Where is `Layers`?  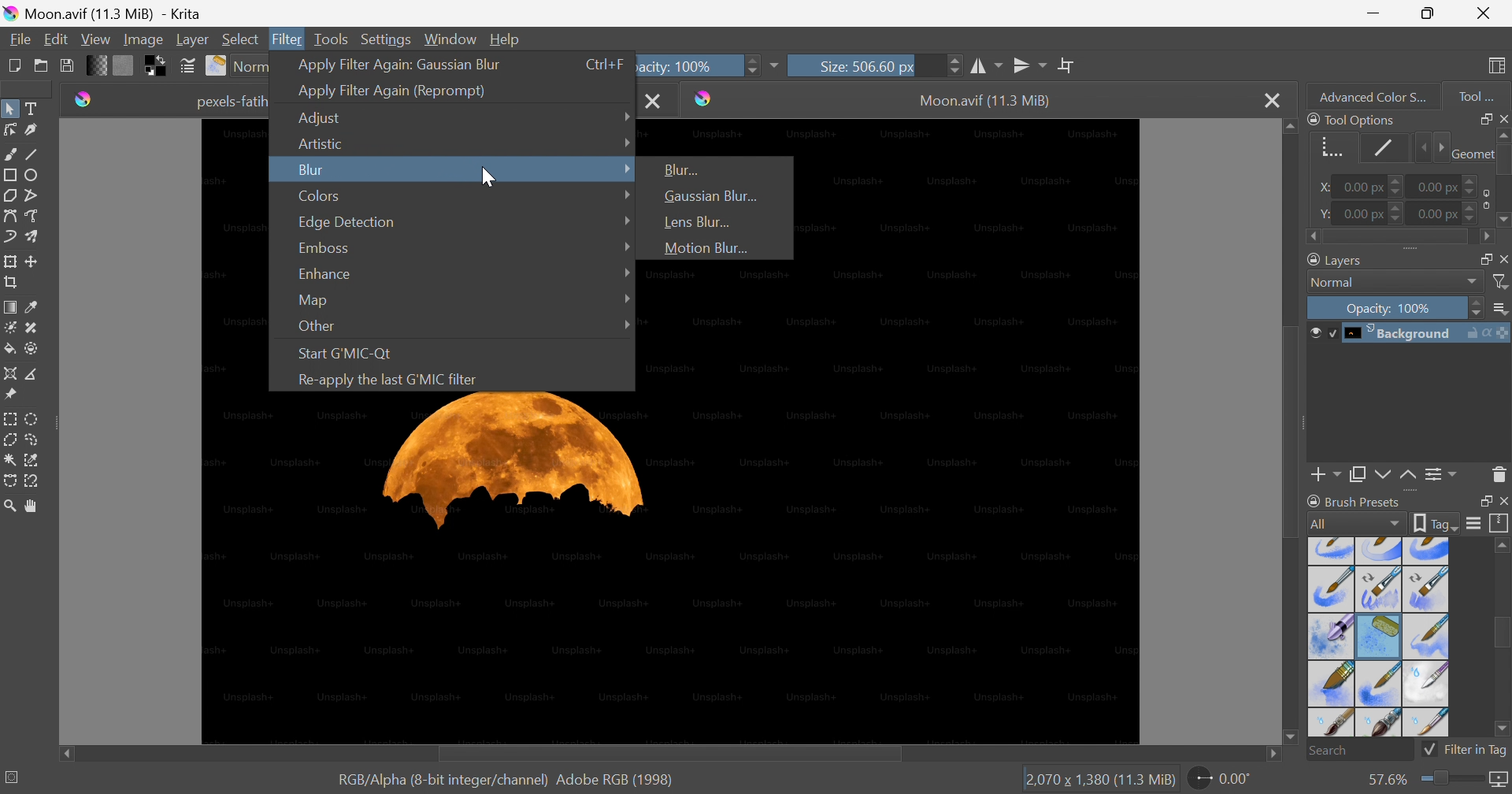
Layers is located at coordinates (1332, 260).